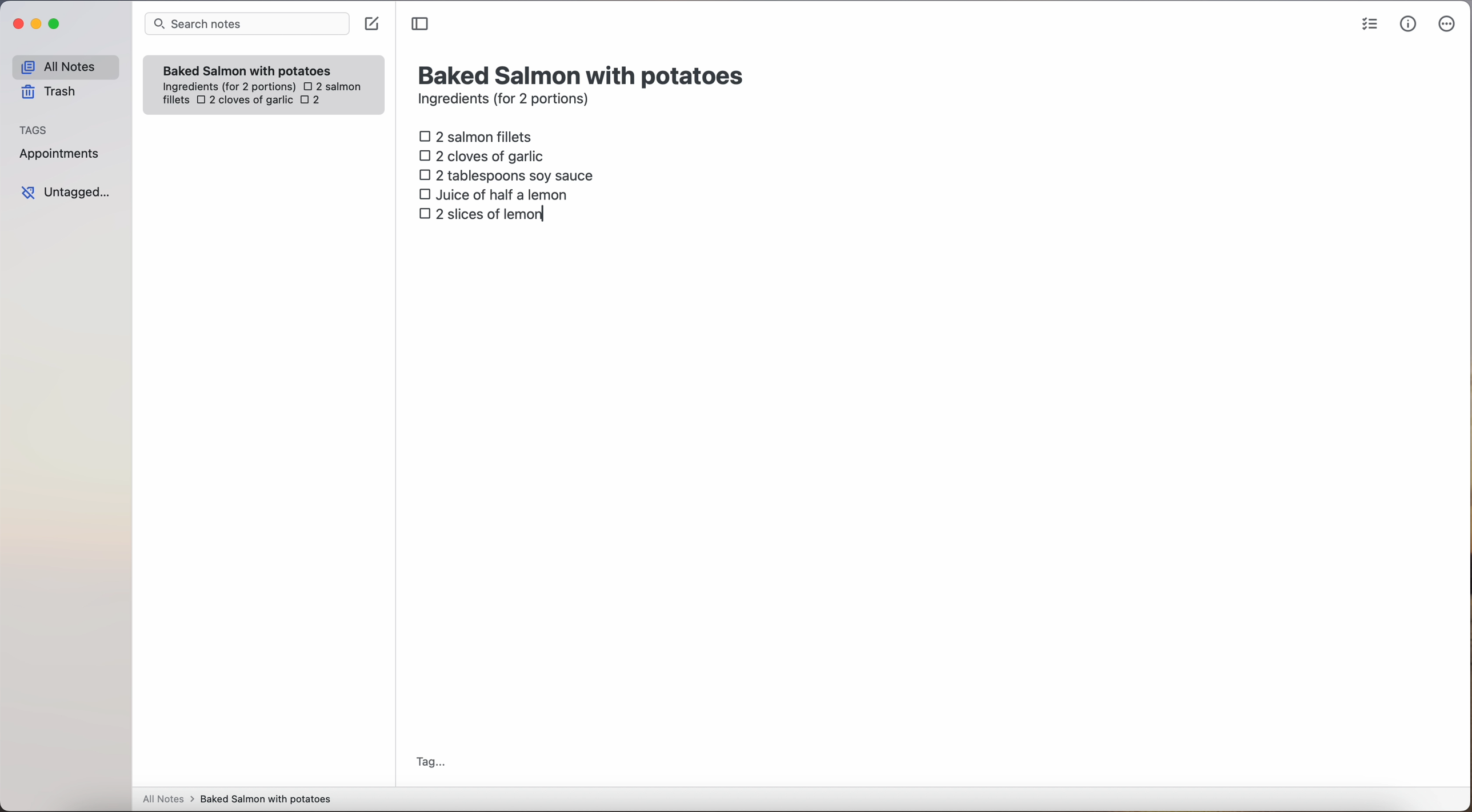  What do you see at coordinates (314, 101) in the screenshot?
I see `2 ` at bounding box center [314, 101].